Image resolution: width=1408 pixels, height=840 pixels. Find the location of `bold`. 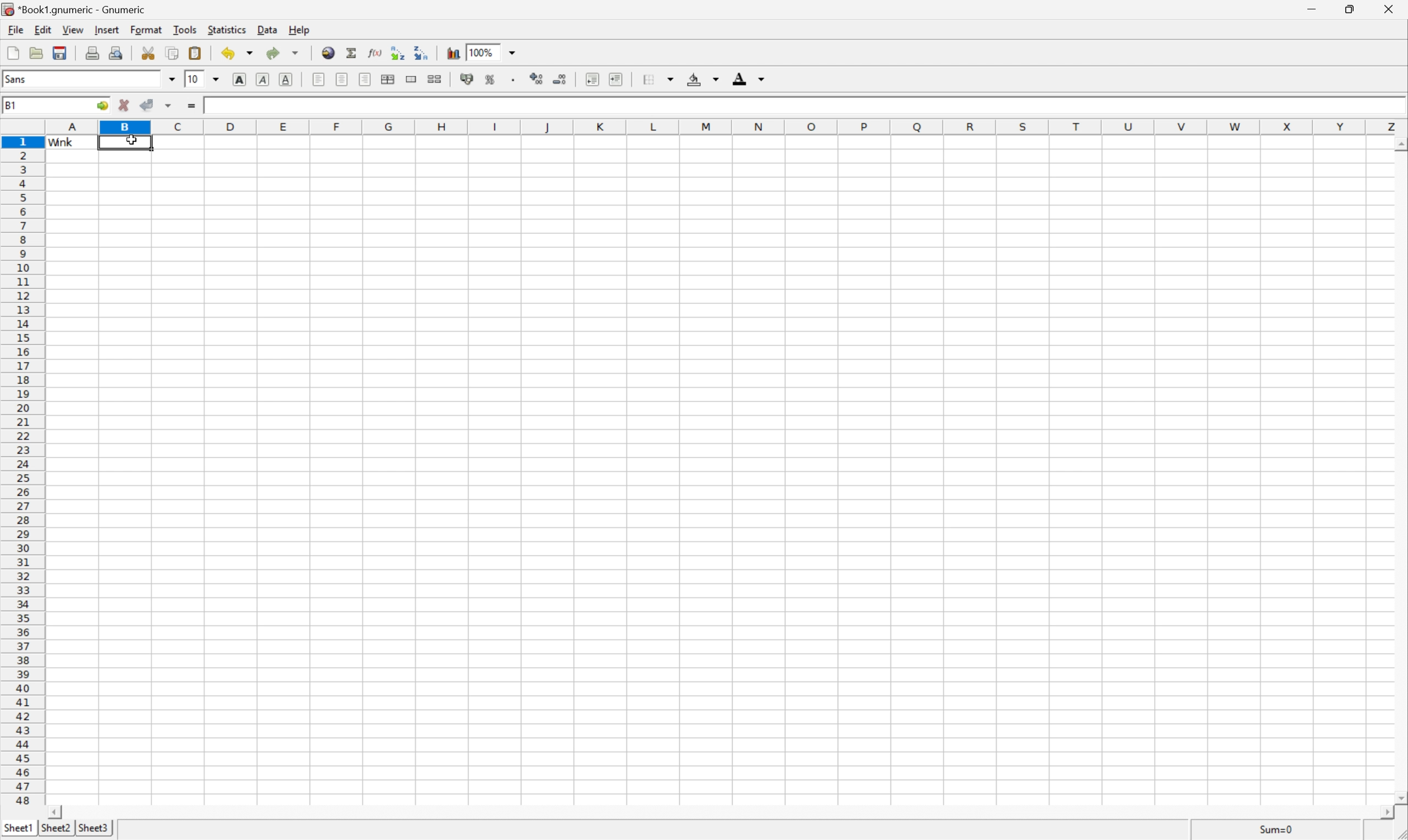

bold is located at coordinates (241, 79).